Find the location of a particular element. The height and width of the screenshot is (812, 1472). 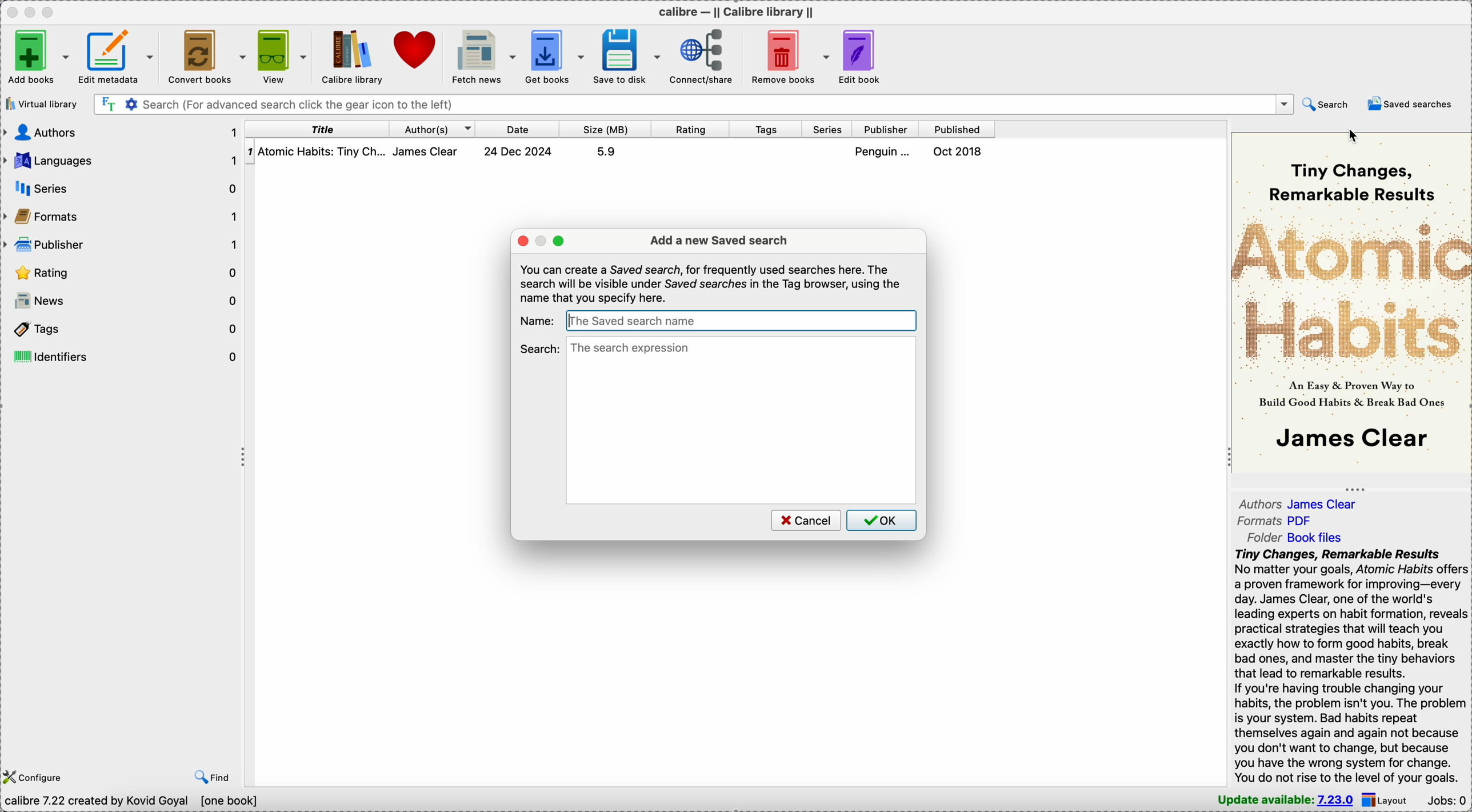

formats is located at coordinates (123, 218).